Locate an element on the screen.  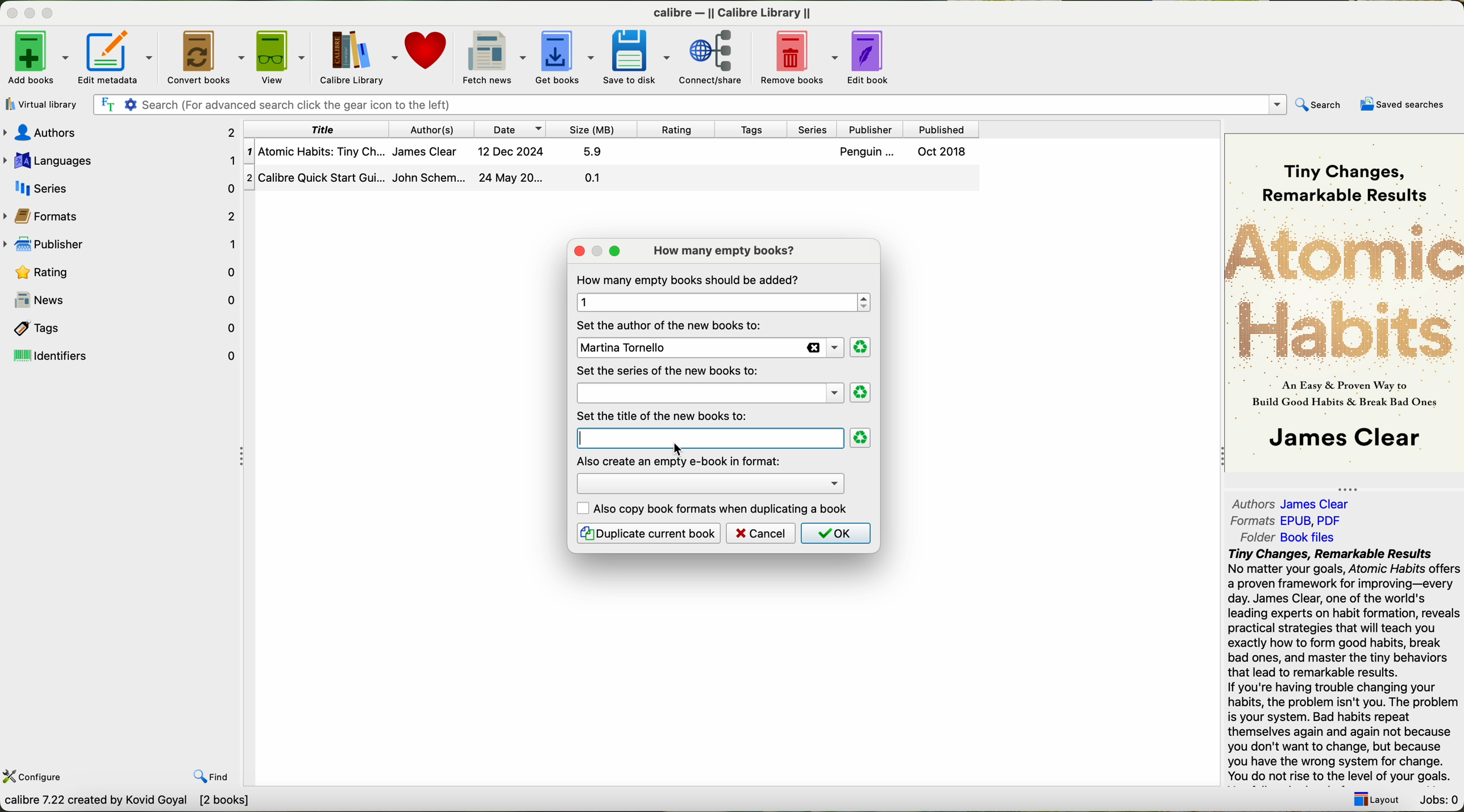
first book is located at coordinates (614, 154).